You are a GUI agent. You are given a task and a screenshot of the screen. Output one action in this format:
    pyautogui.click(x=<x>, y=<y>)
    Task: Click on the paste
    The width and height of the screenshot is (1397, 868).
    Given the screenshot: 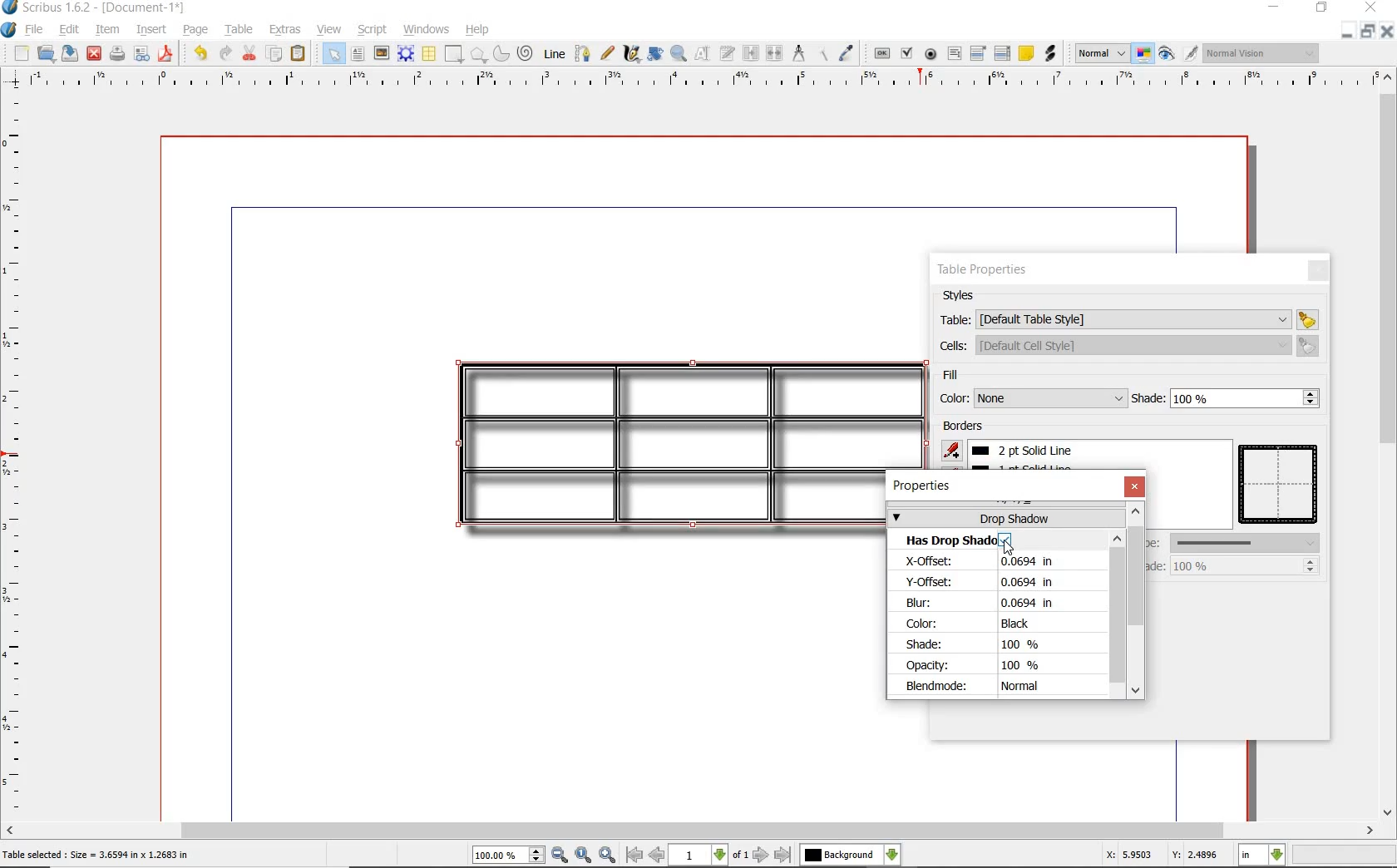 What is the action you would take?
    pyautogui.click(x=299, y=53)
    